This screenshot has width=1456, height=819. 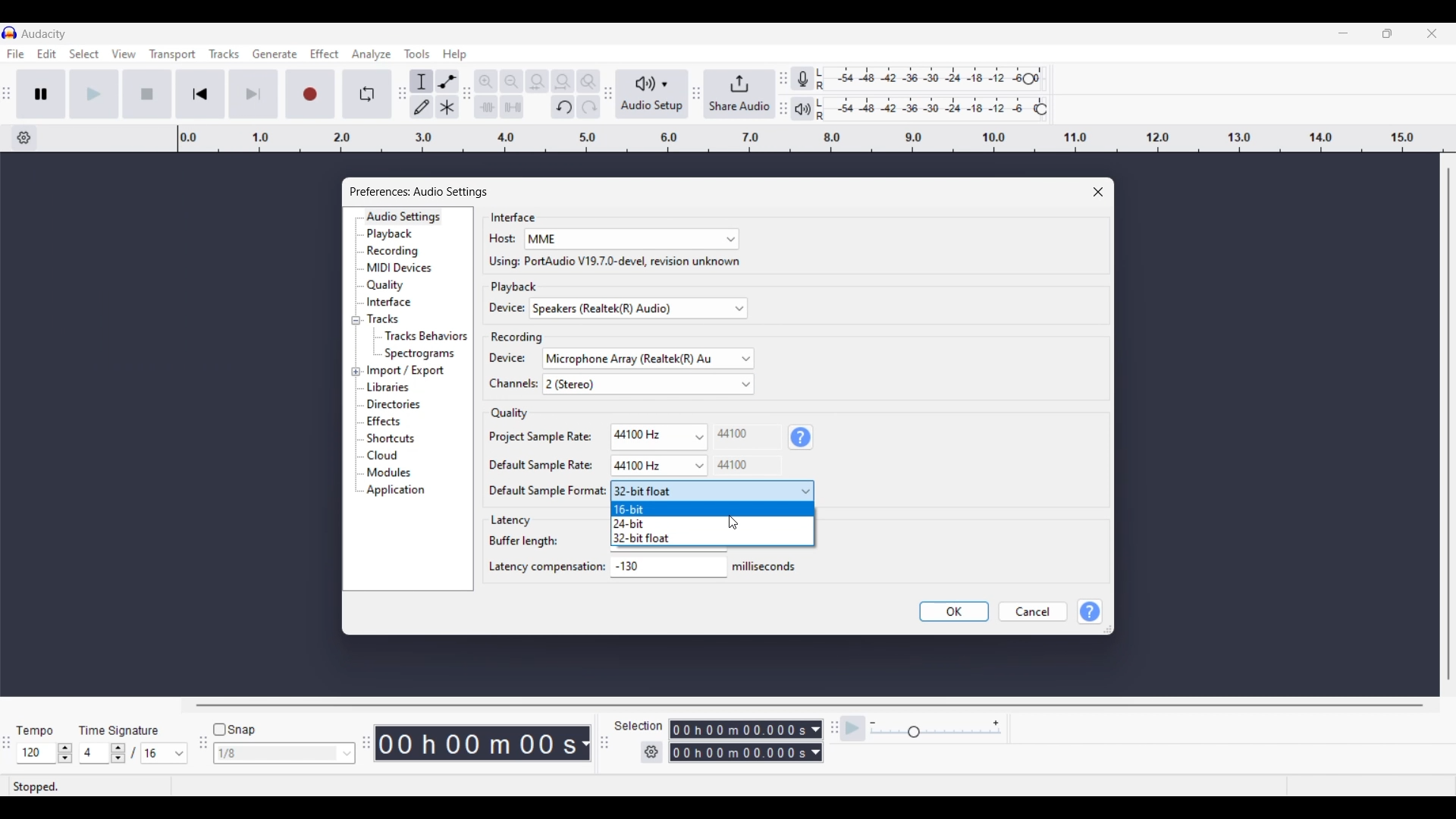 I want to click on Recording, so click(x=513, y=336).